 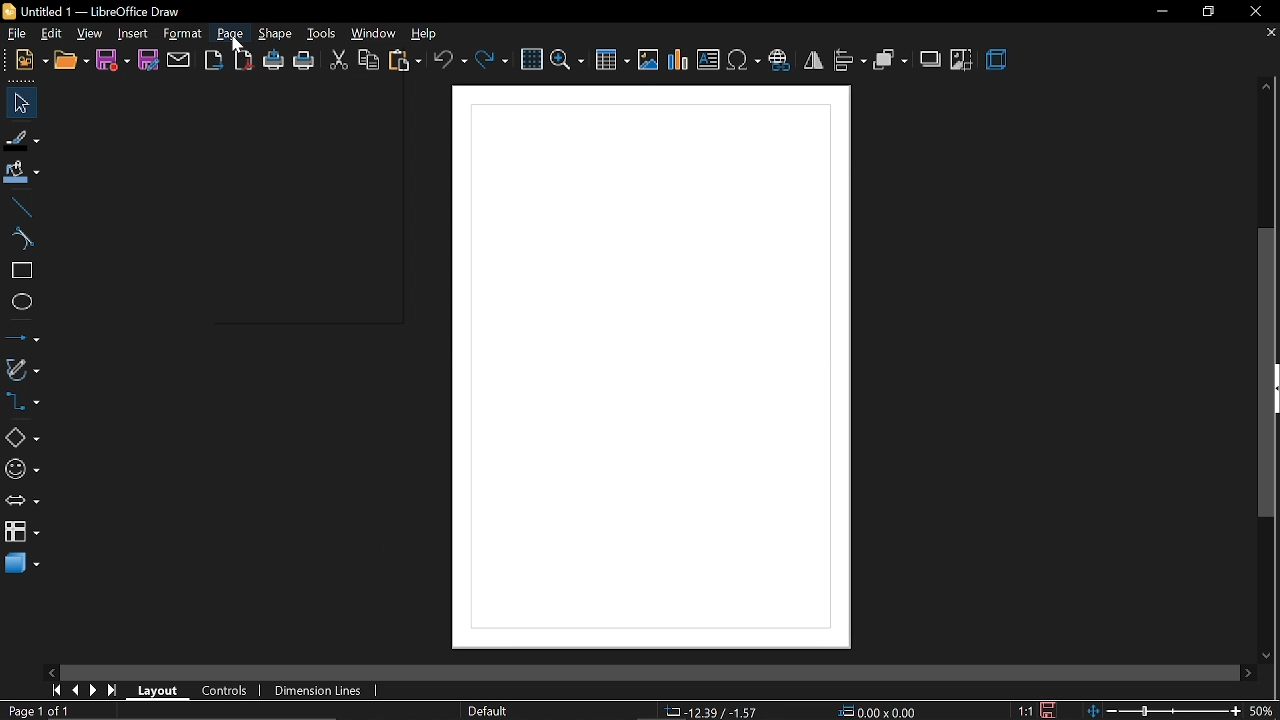 I want to click on 0.00 x 0.00 - position, so click(x=879, y=710).